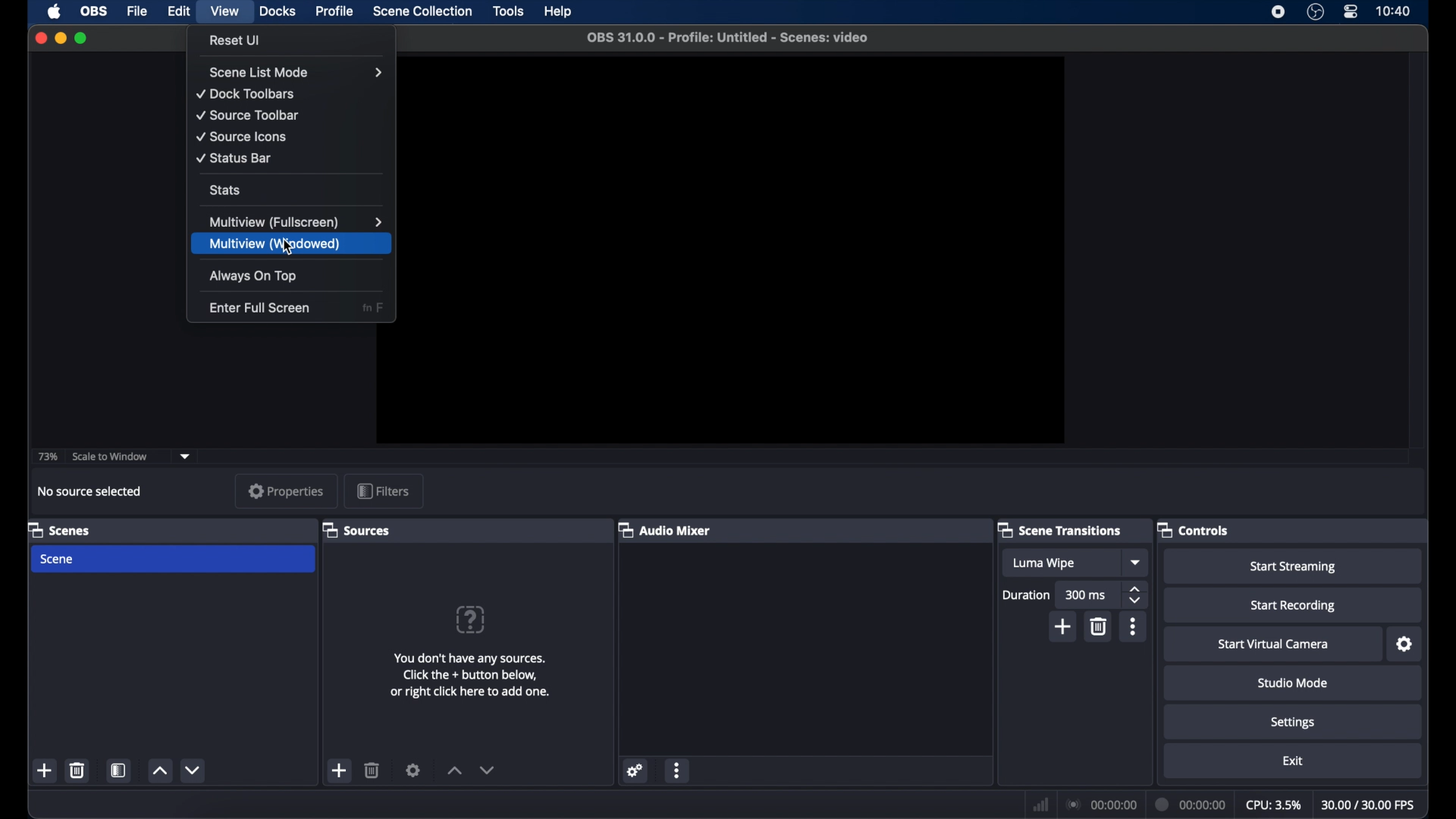  I want to click on scene list mode, so click(296, 72).